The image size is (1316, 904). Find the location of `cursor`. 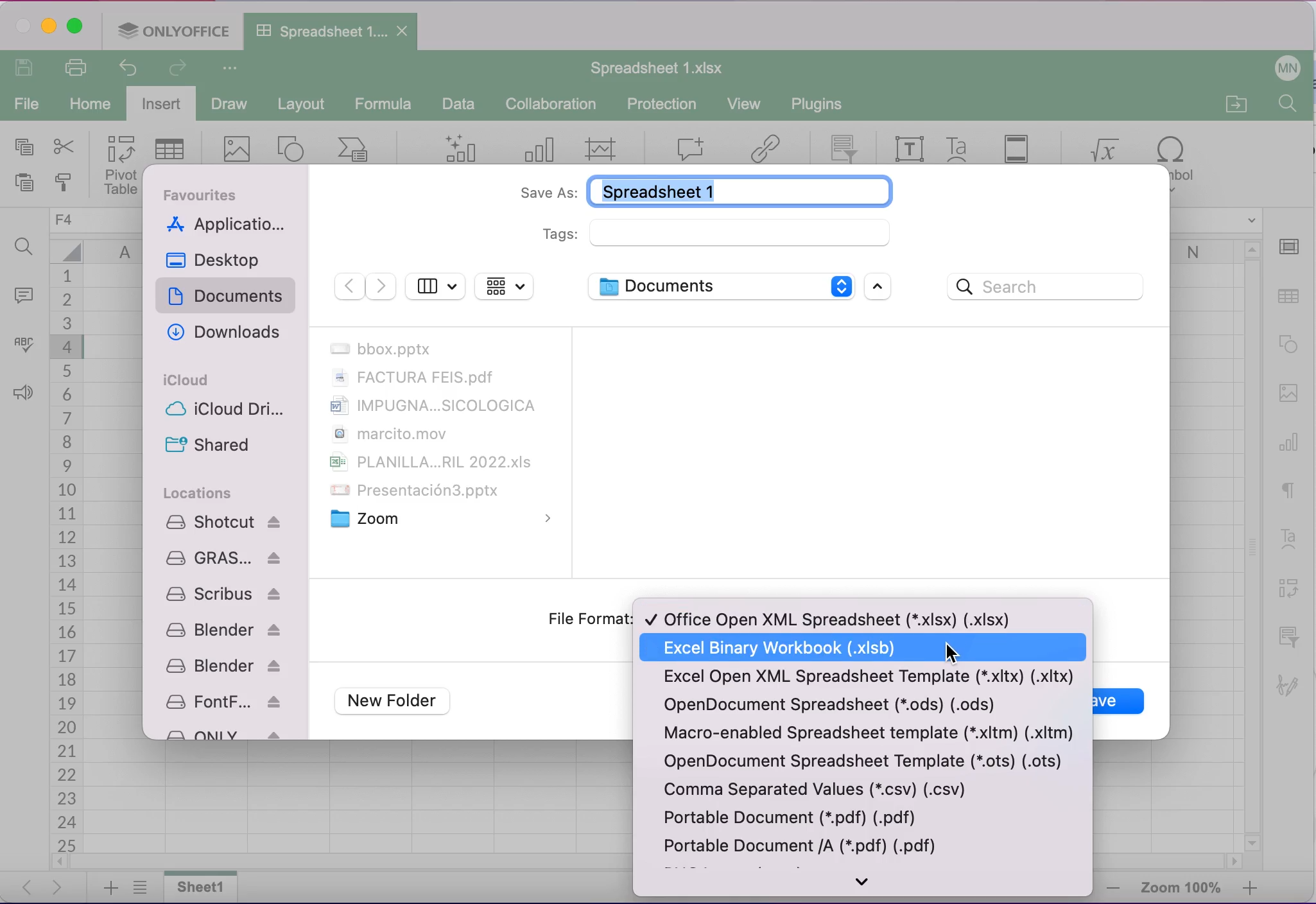

cursor is located at coordinates (951, 652).